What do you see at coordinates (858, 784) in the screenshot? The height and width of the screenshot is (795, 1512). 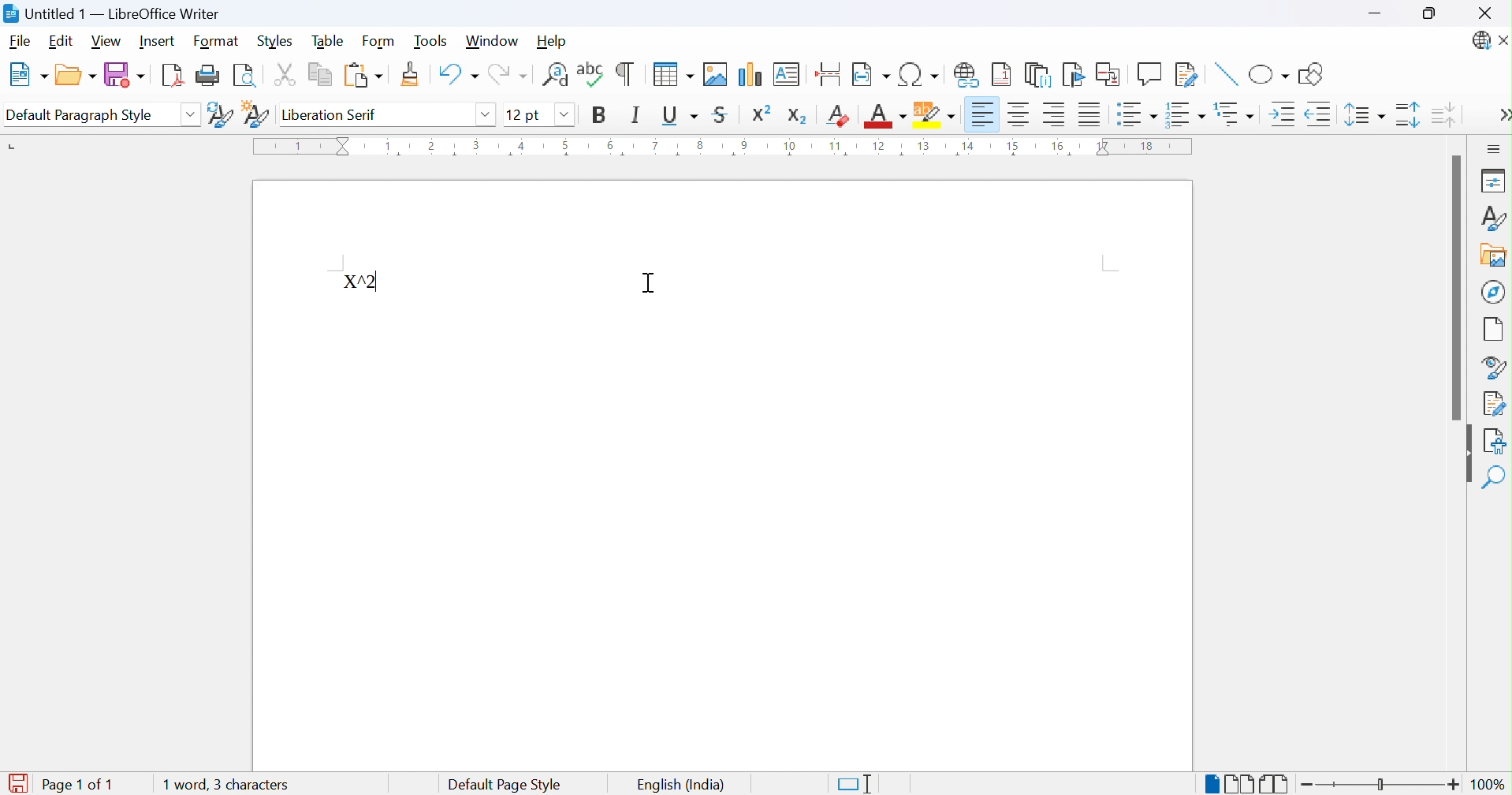 I see `Standard selection. Click to change selection mode.` at bounding box center [858, 784].